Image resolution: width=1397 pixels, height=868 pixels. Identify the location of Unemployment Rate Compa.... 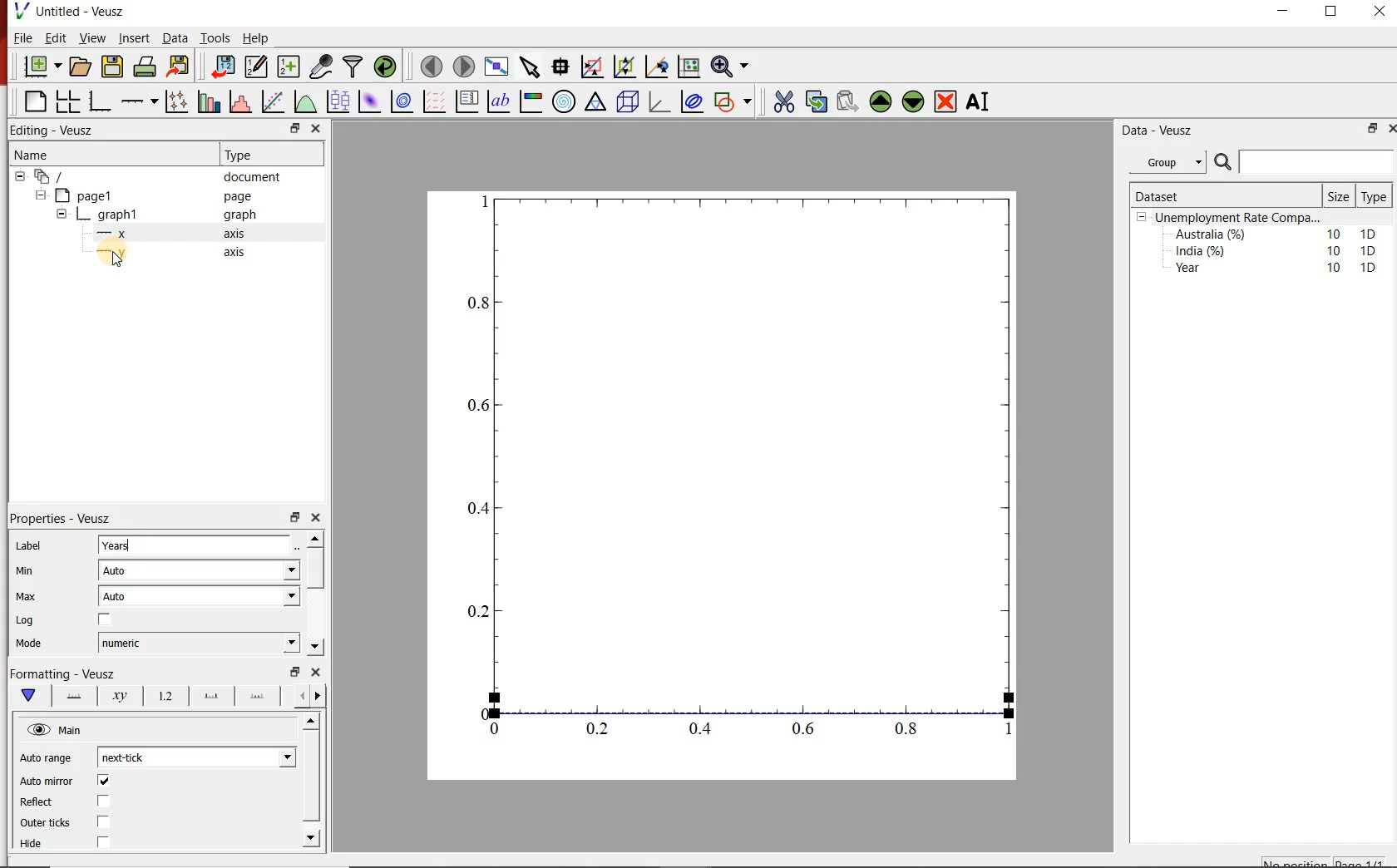
(1239, 218).